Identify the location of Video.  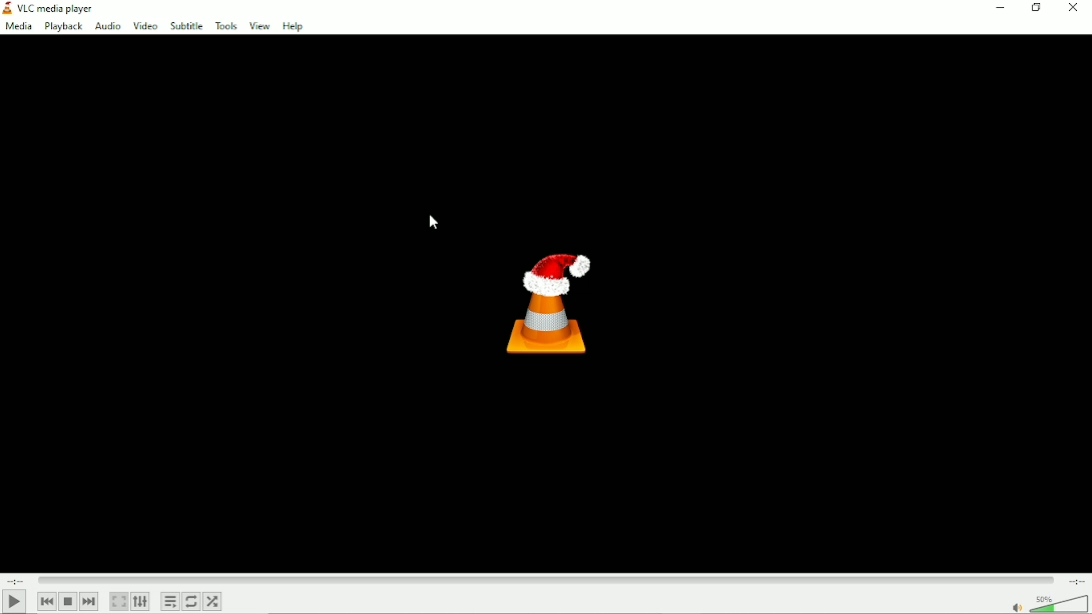
(144, 25).